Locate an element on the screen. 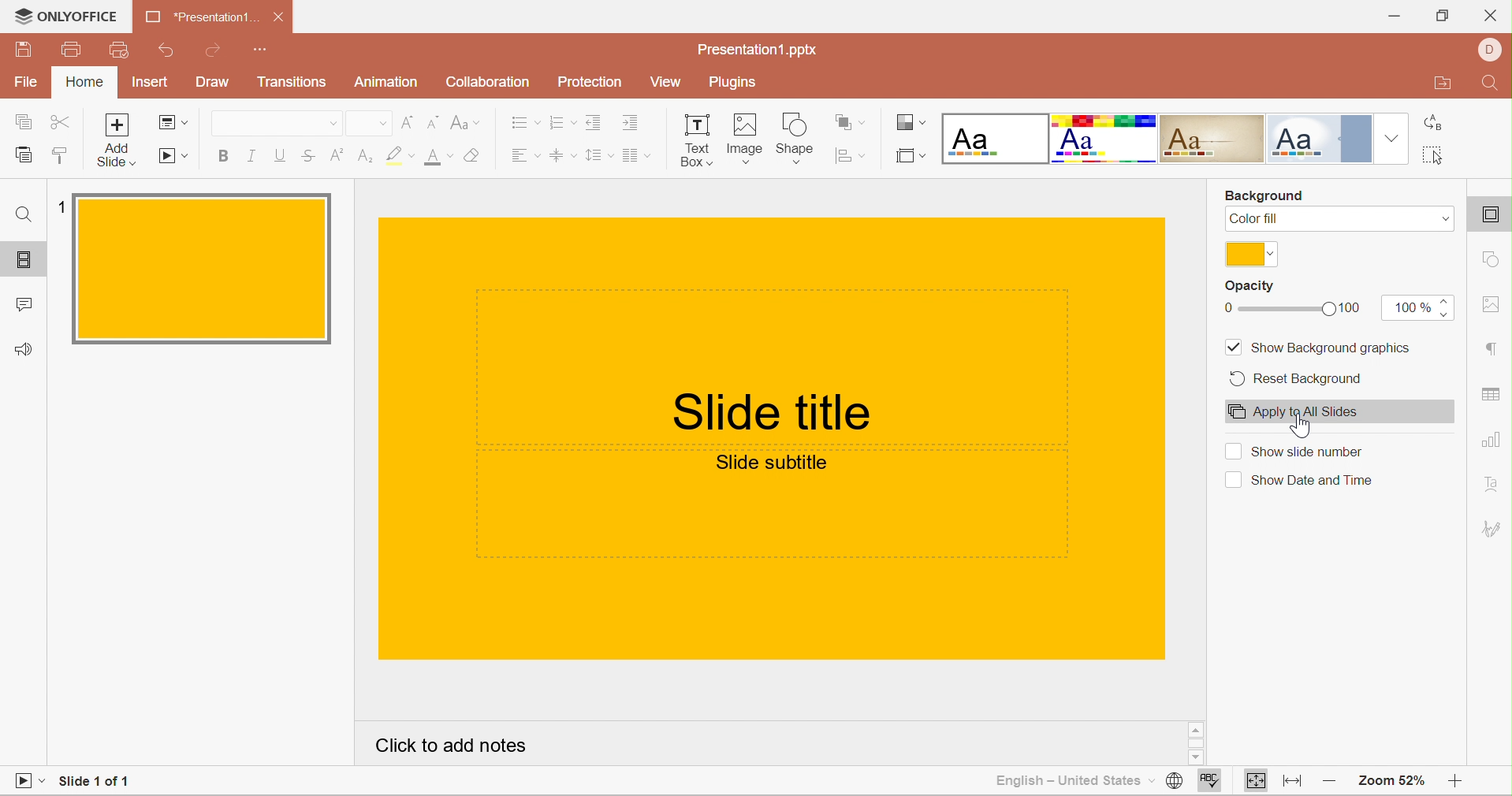 Image resolution: width=1512 pixels, height=796 pixels. paragraph settings is located at coordinates (1490, 348).